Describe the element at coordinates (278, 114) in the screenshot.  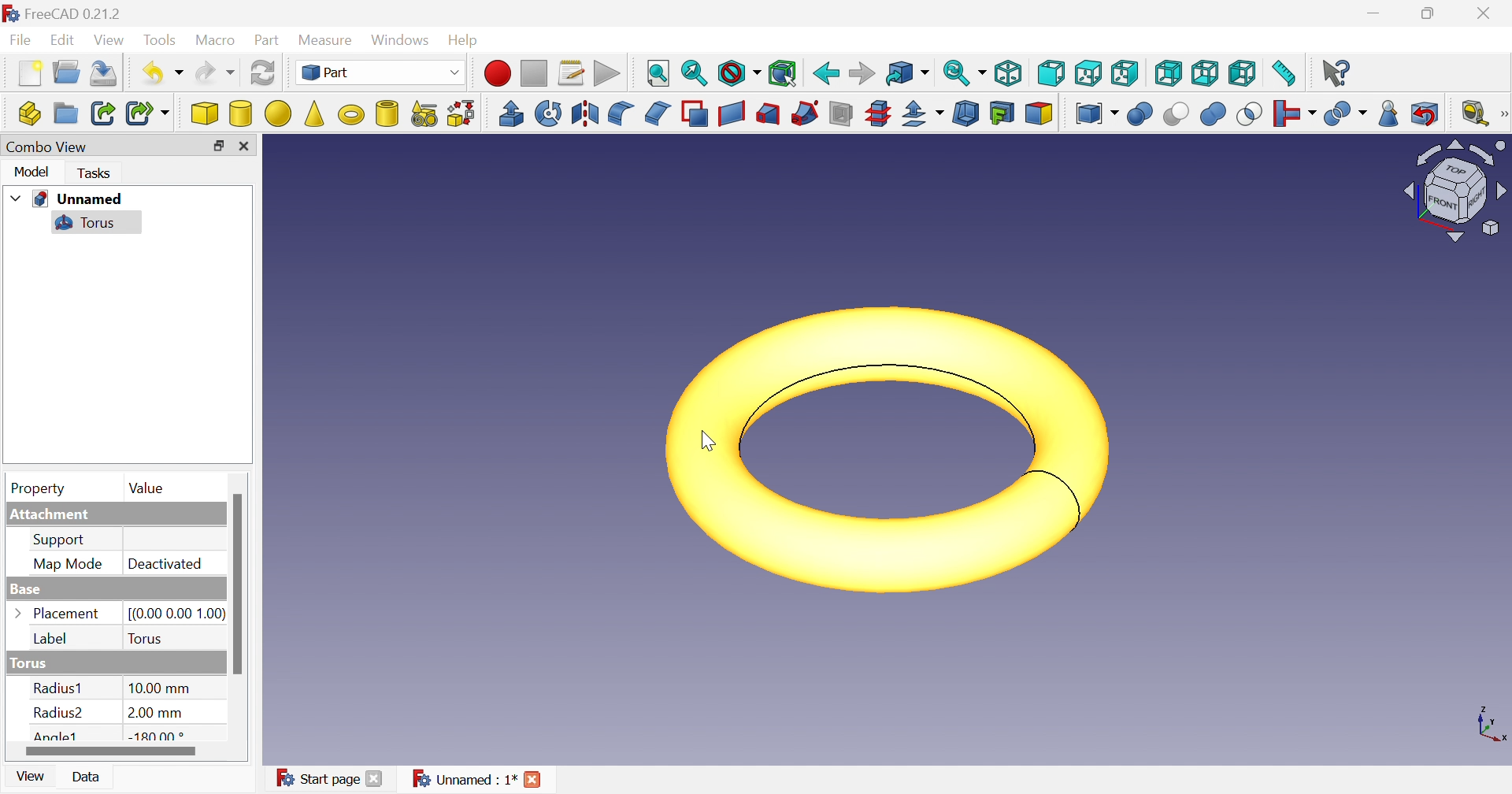
I see `Sphere` at that location.